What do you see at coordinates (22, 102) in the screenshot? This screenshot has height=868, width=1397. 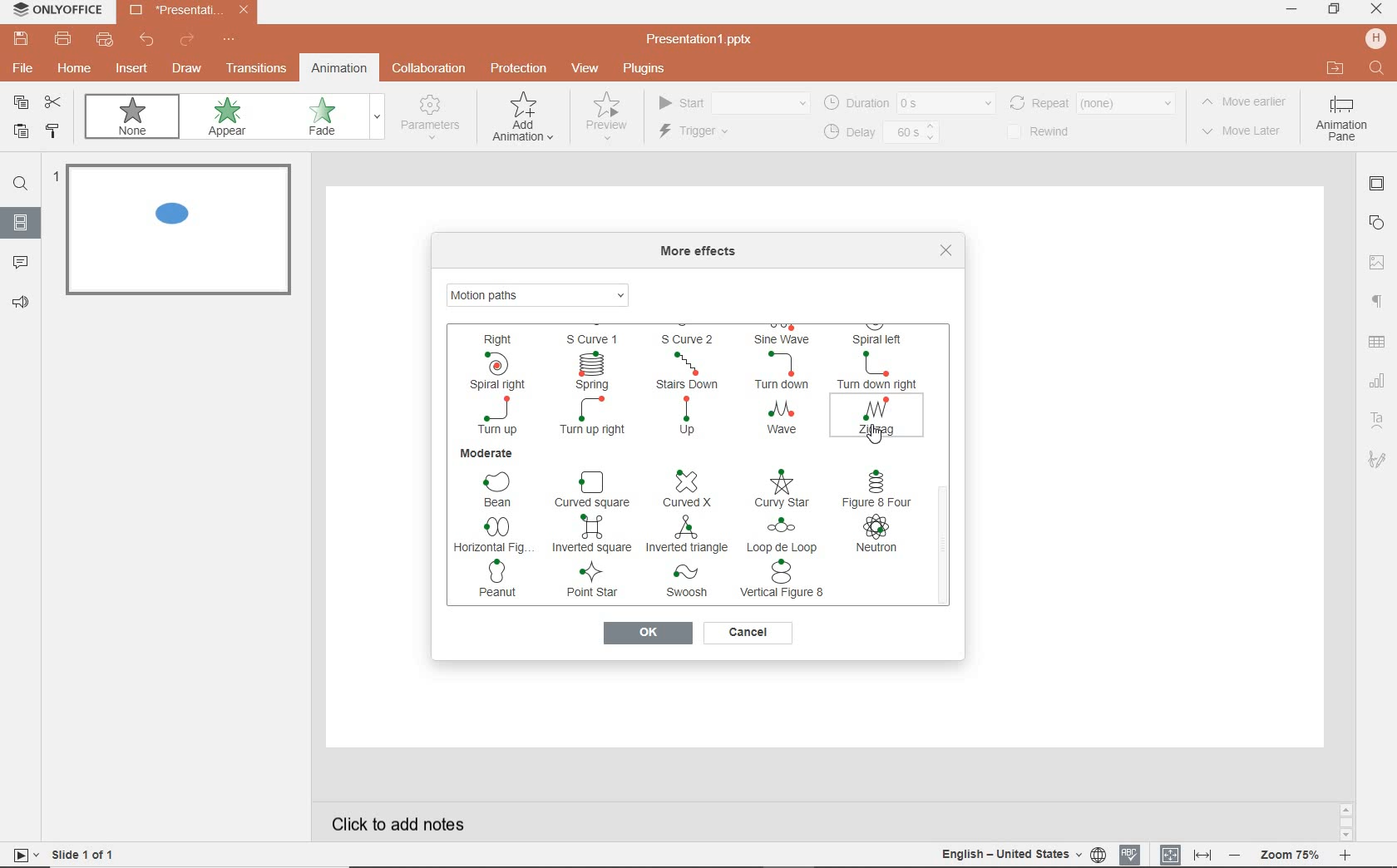 I see `copy` at bounding box center [22, 102].